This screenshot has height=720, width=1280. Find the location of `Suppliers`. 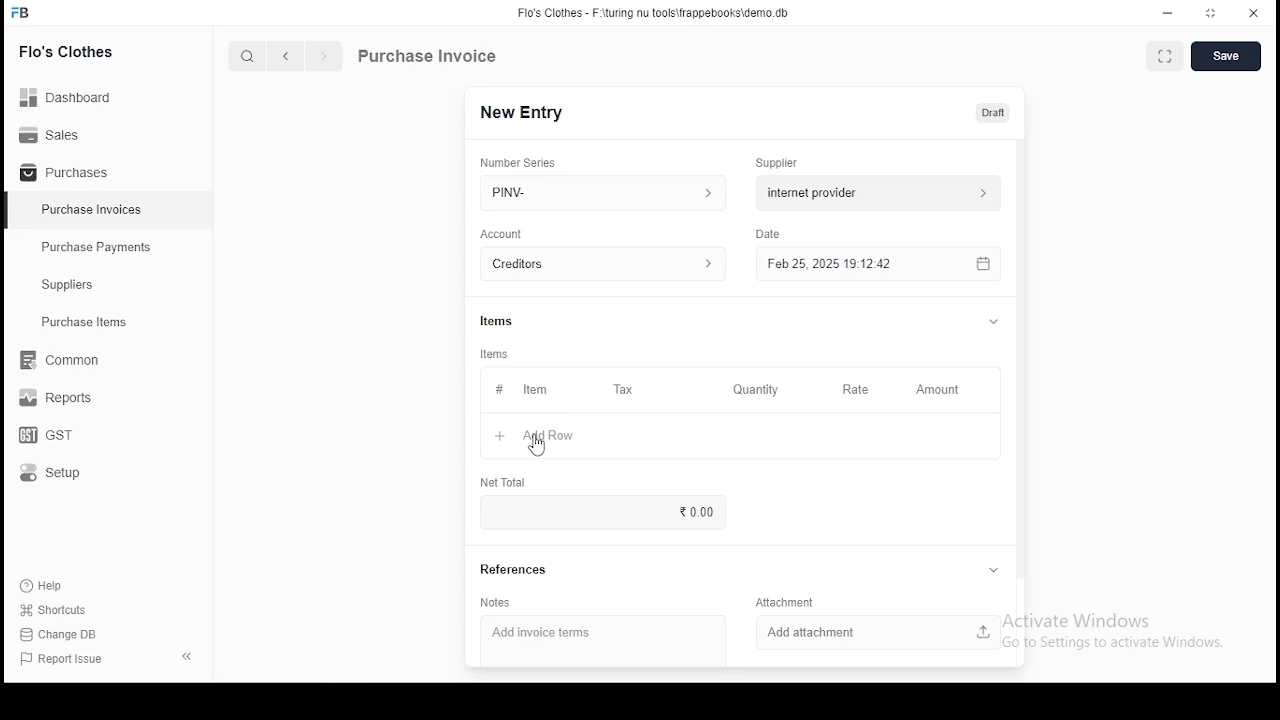

Suppliers is located at coordinates (72, 285).